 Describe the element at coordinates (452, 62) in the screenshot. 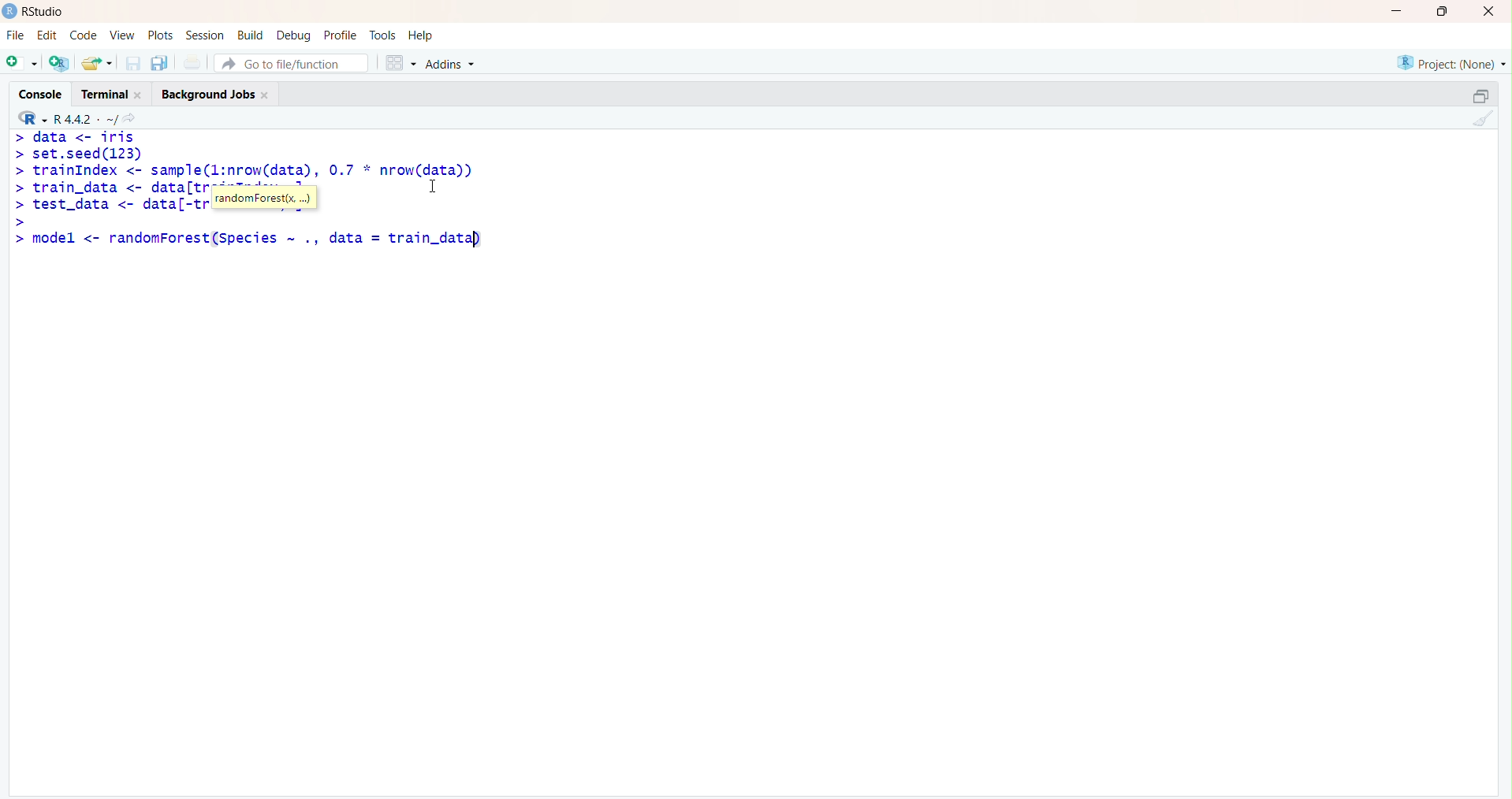

I see `Addins` at that location.